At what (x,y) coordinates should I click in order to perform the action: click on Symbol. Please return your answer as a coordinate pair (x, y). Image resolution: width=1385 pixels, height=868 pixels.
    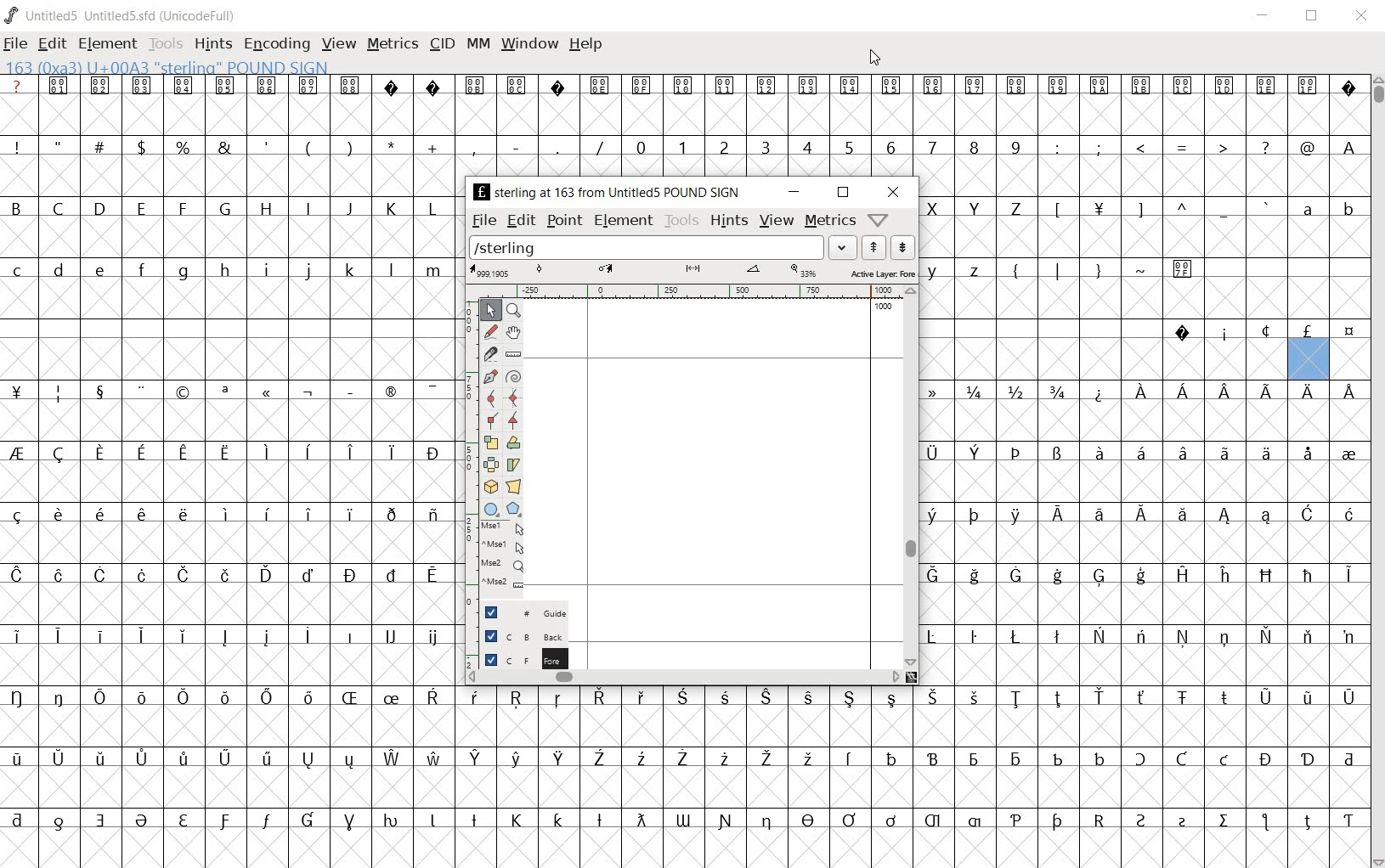
    Looking at the image, I should click on (851, 759).